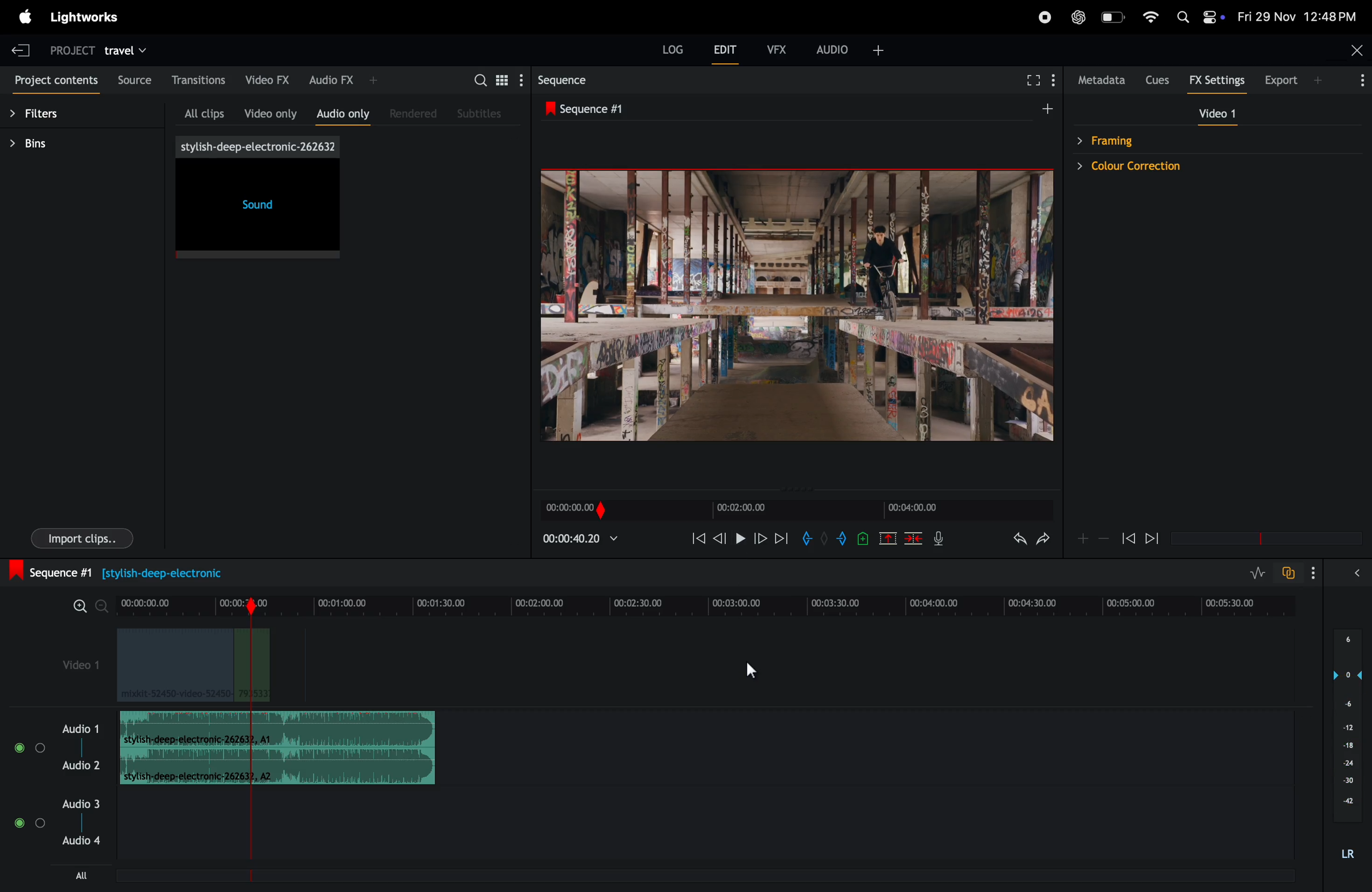 The image size is (1372, 892). Describe the element at coordinates (87, 17) in the screenshot. I see `light works` at that location.